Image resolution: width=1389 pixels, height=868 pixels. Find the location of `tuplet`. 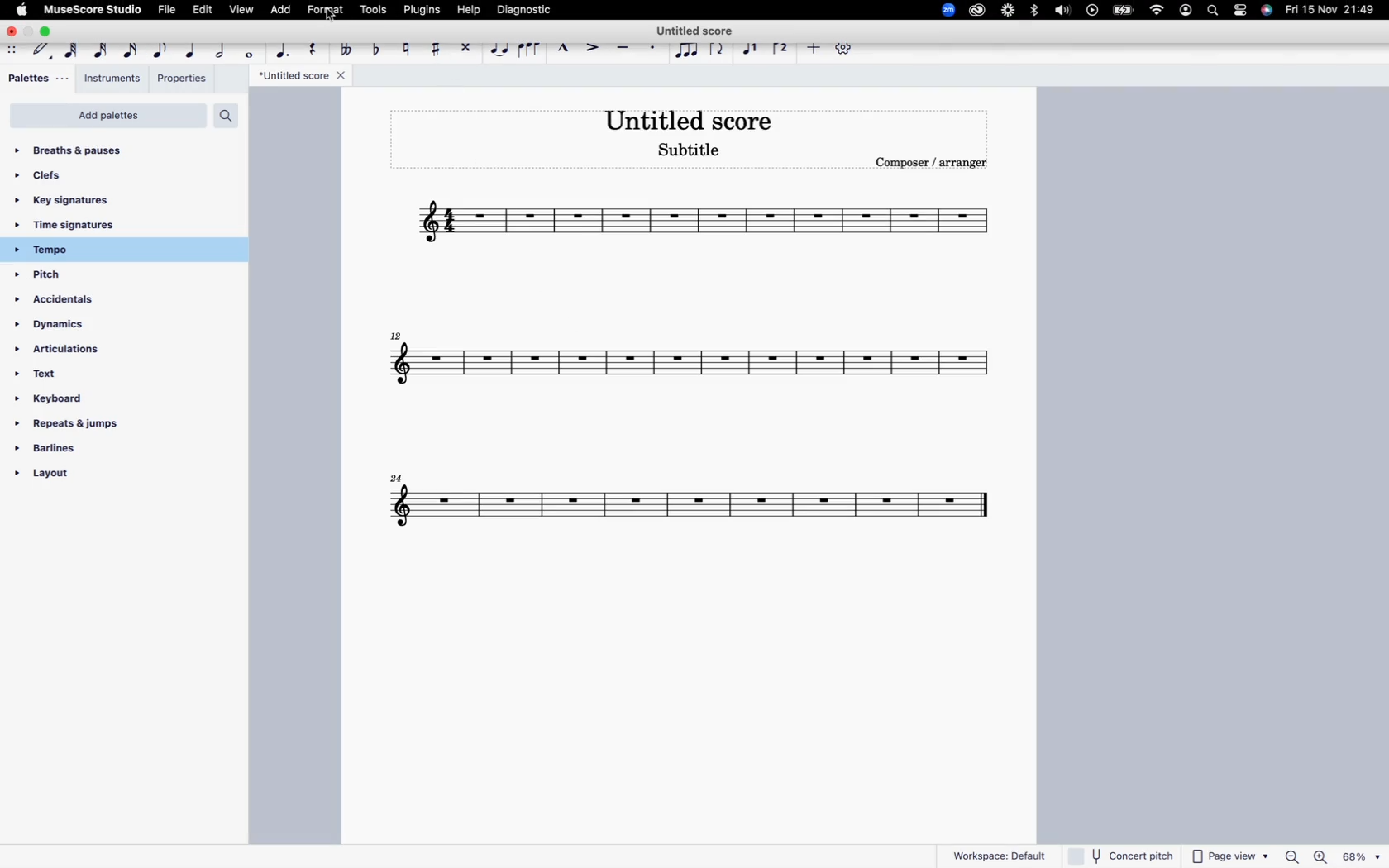

tuplet is located at coordinates (687, 51).